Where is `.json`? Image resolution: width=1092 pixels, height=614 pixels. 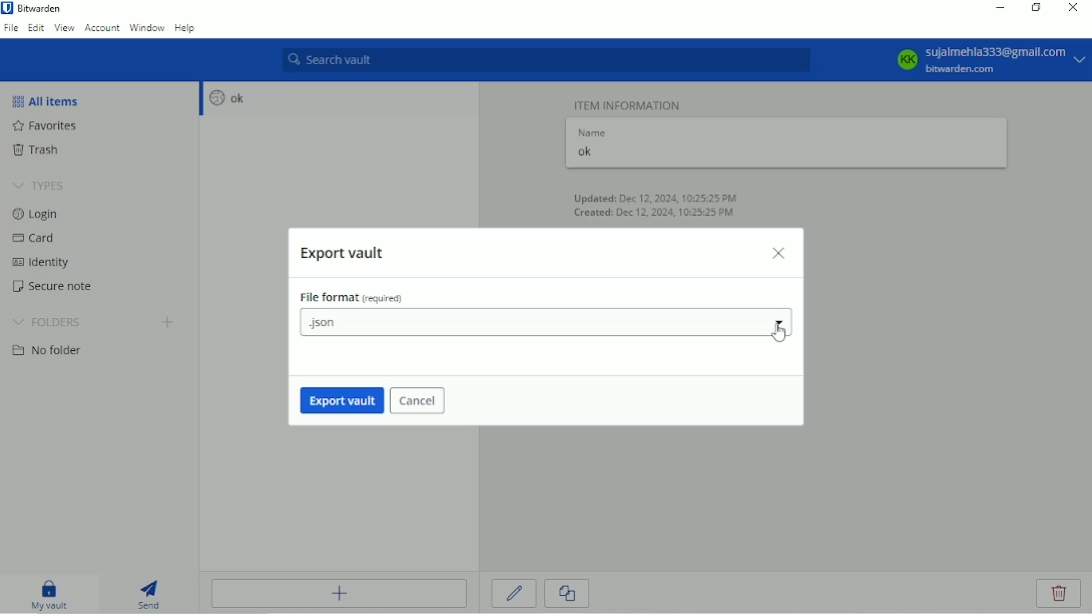 .json is located at coordinates (546, 323).